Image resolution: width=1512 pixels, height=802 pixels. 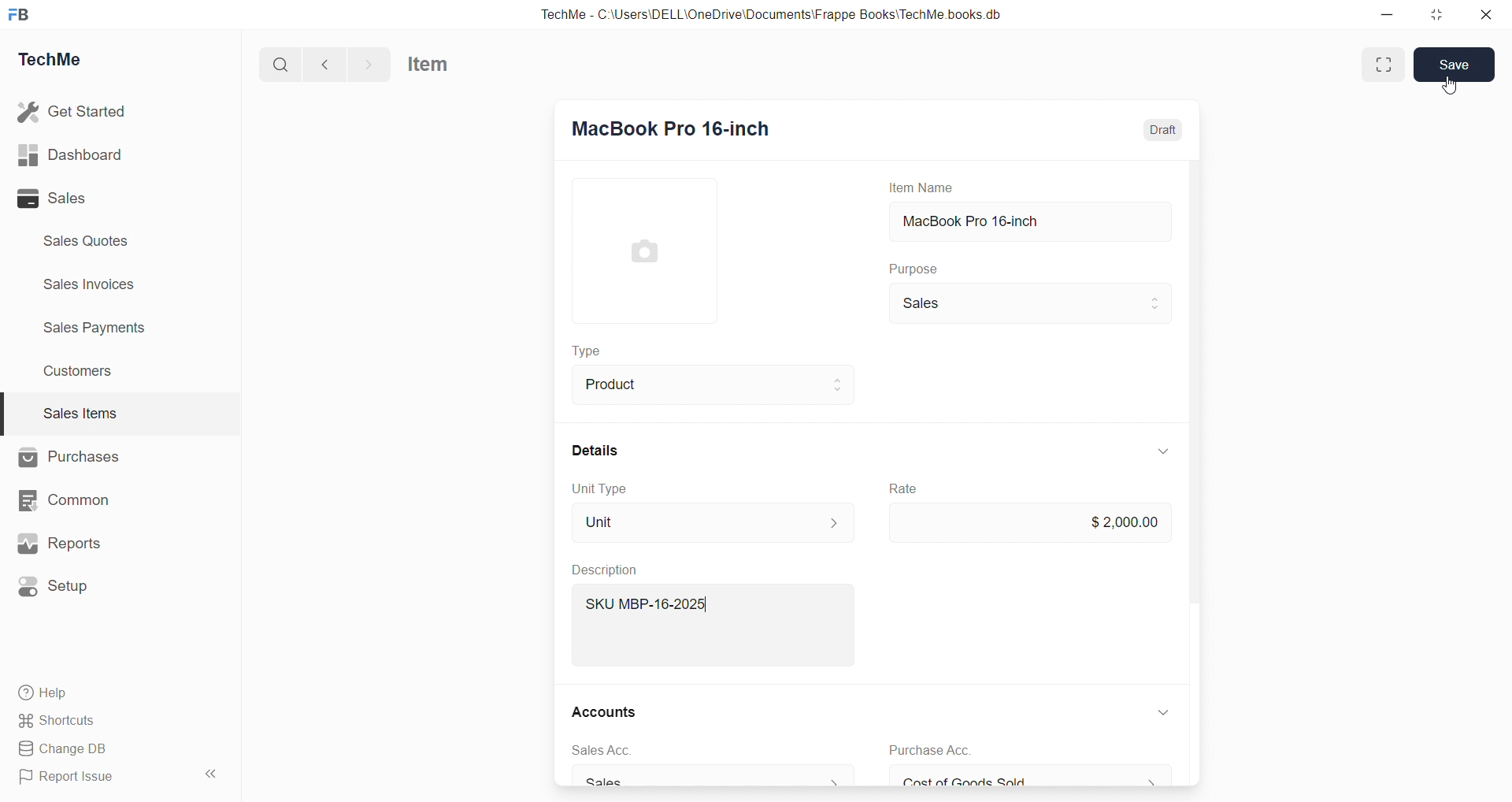 I want to click on Setup, so click(x=59, y=585).